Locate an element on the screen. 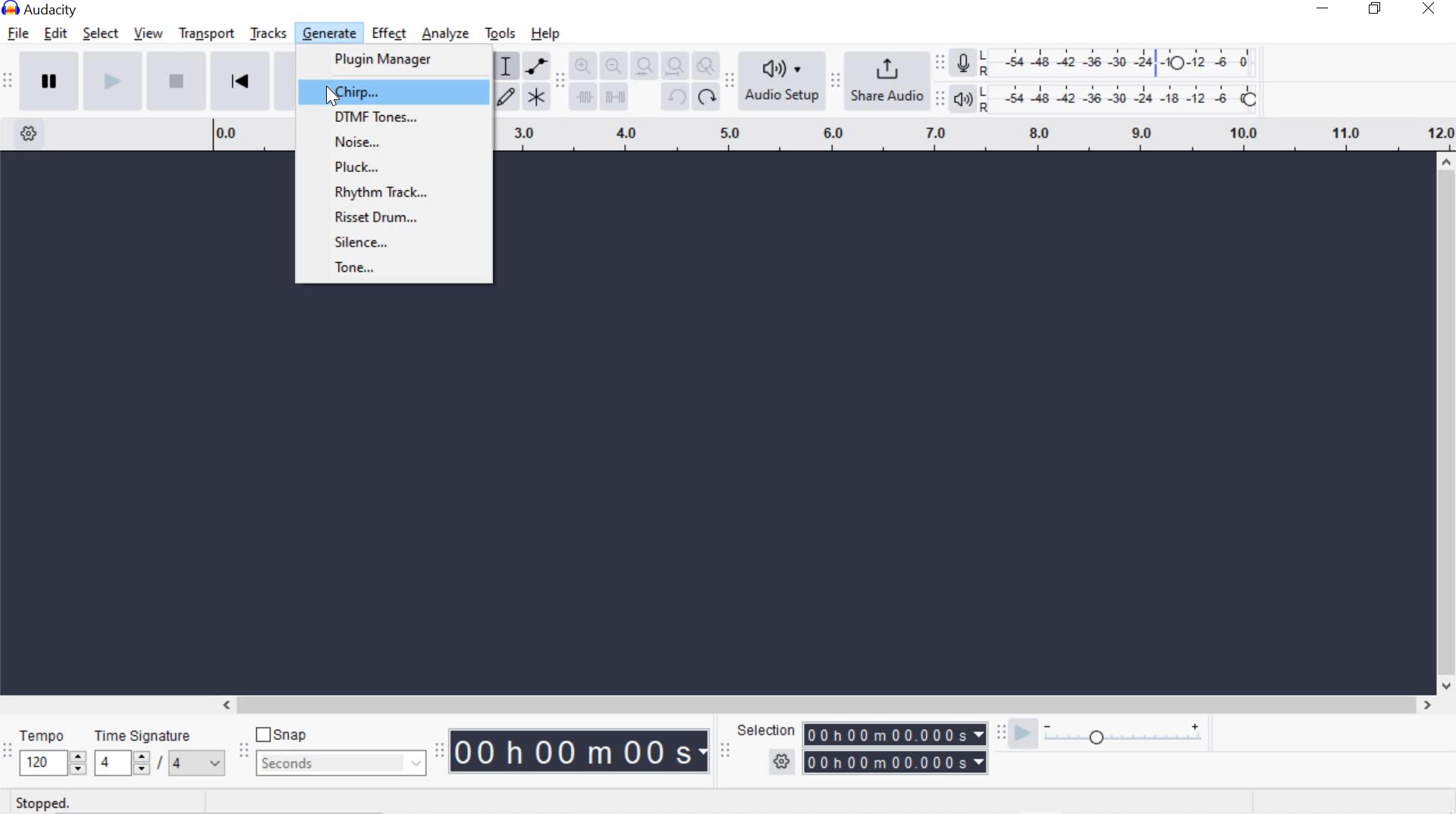 This screenshot has height=814, width=1456. selection time is located at coordinates (881, 762).